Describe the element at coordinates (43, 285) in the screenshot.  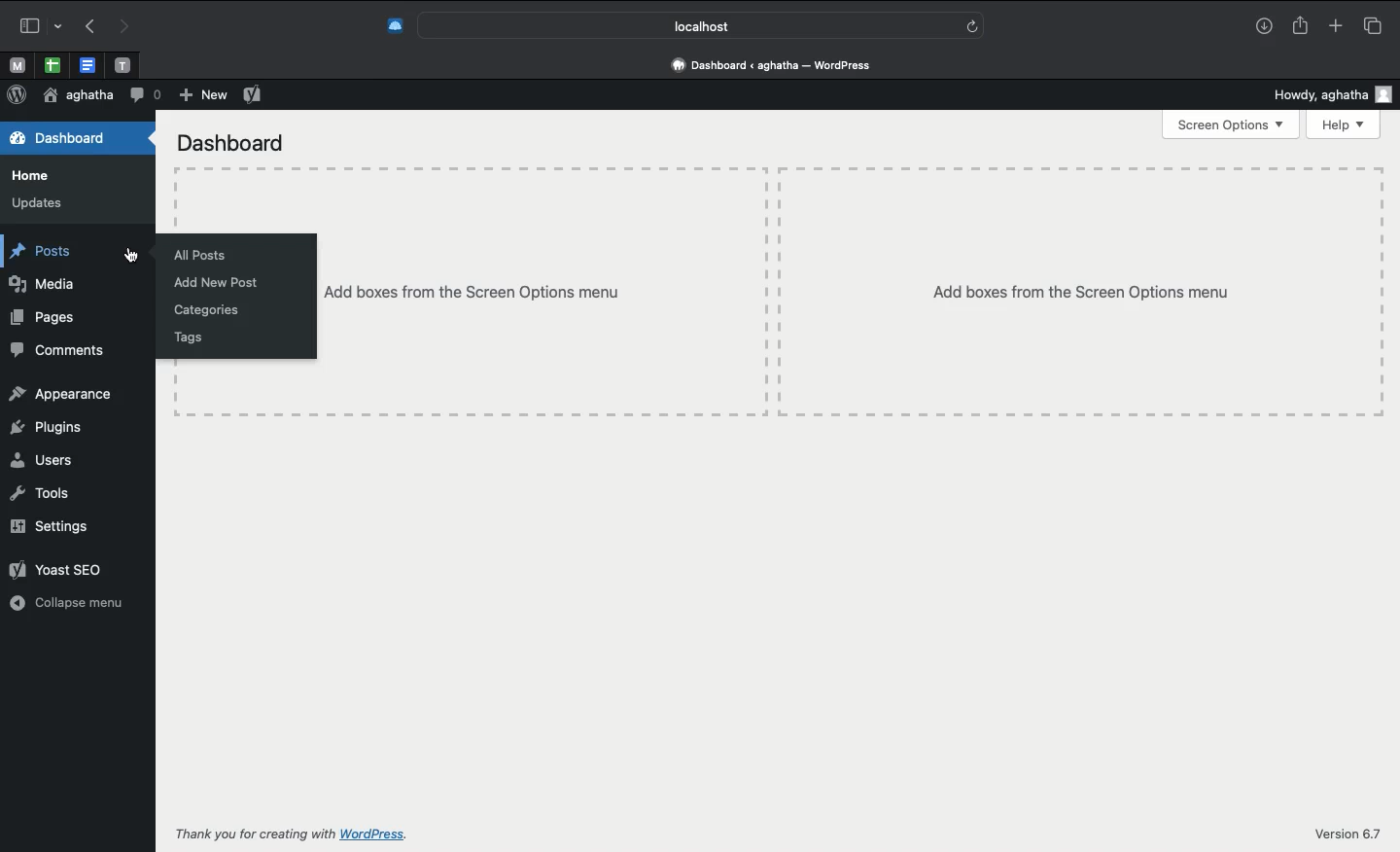
I see `Media` at that location.